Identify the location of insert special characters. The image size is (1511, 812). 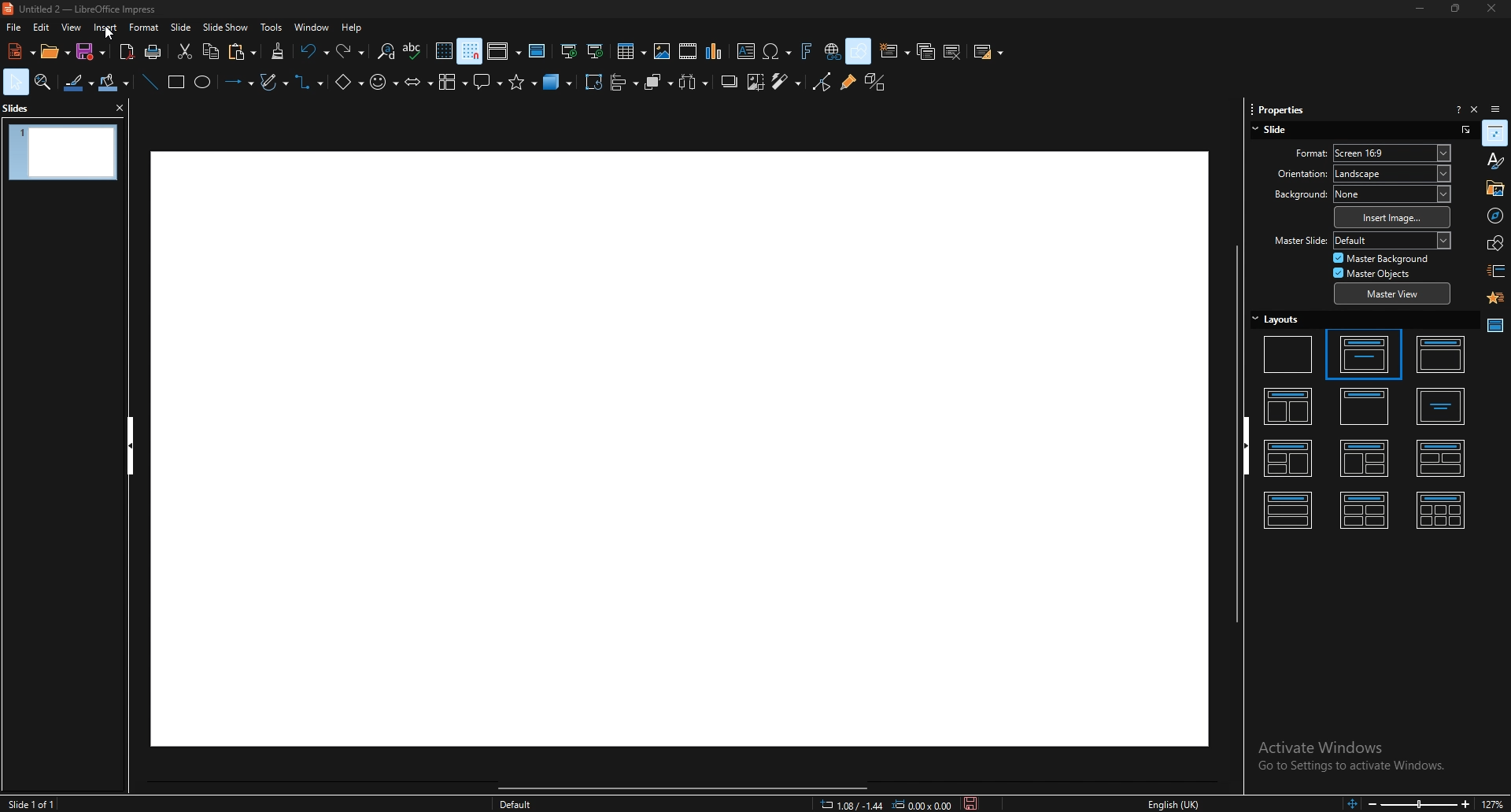
(776, 51).